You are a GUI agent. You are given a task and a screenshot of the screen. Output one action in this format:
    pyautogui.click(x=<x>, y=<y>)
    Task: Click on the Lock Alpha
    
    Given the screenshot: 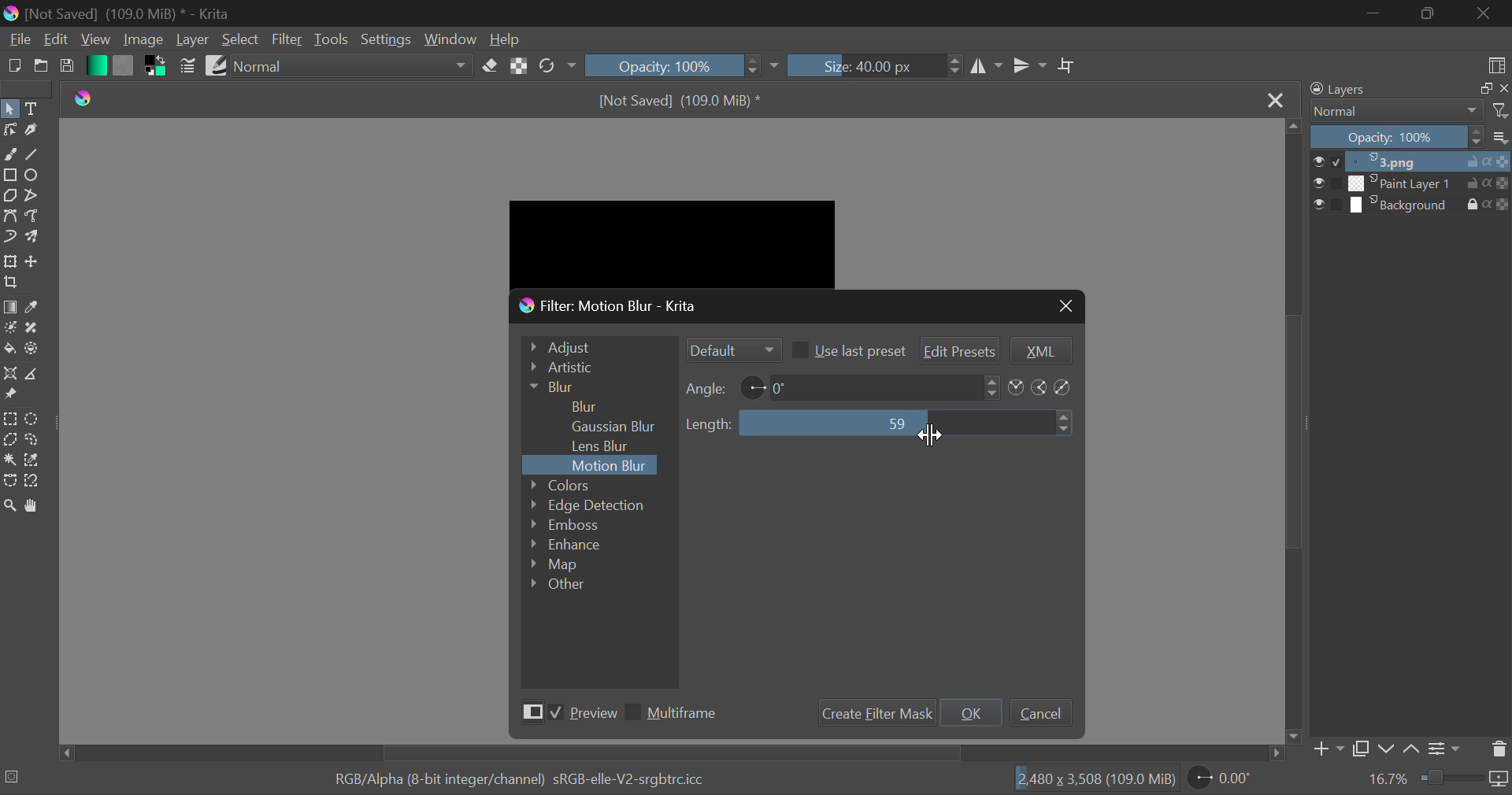 What is the action you would take?
    pyautogui.click(x=520, y=65)
    